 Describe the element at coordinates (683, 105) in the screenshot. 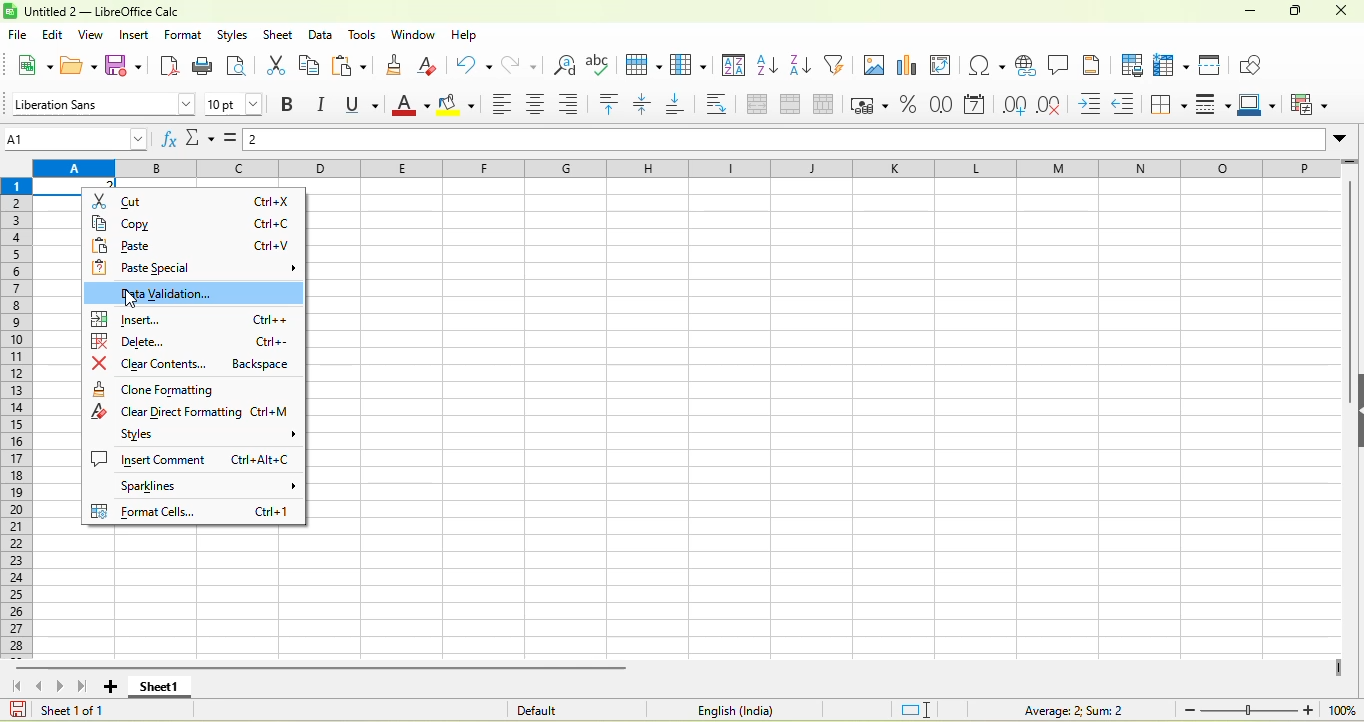

I see `align bottom` at that location.